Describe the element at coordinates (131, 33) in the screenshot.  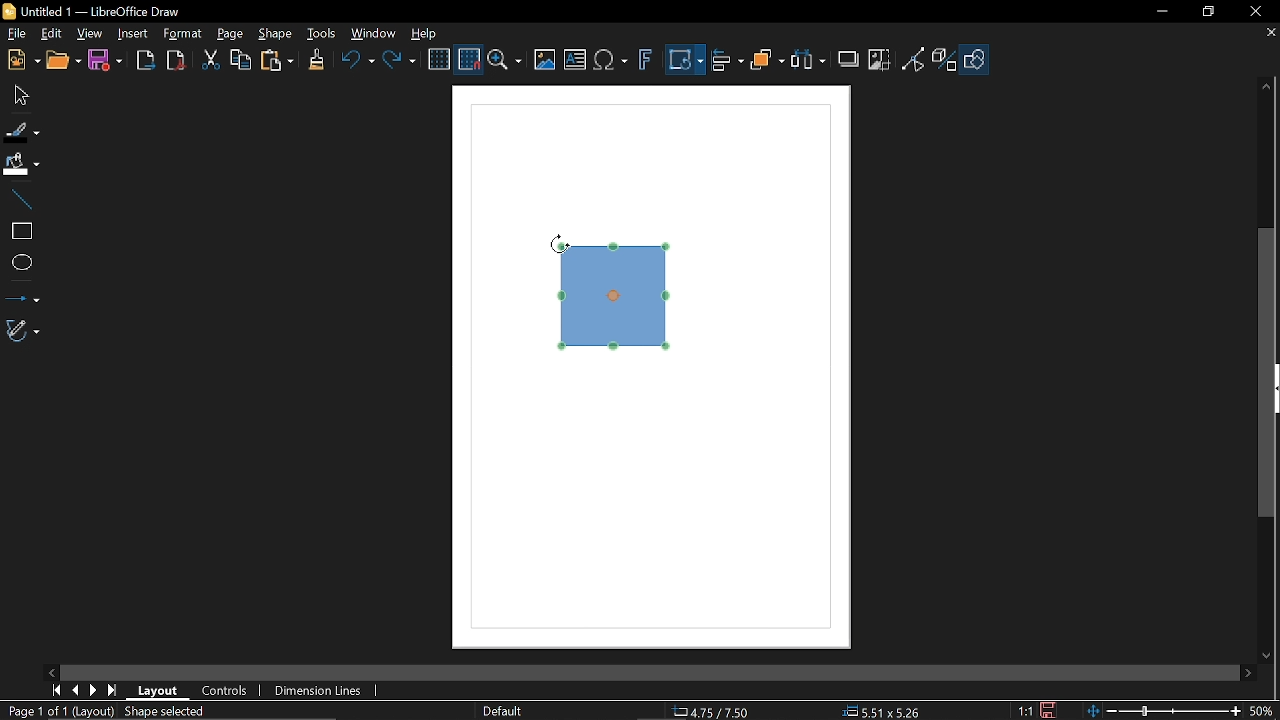
I see `Insert` at that location.